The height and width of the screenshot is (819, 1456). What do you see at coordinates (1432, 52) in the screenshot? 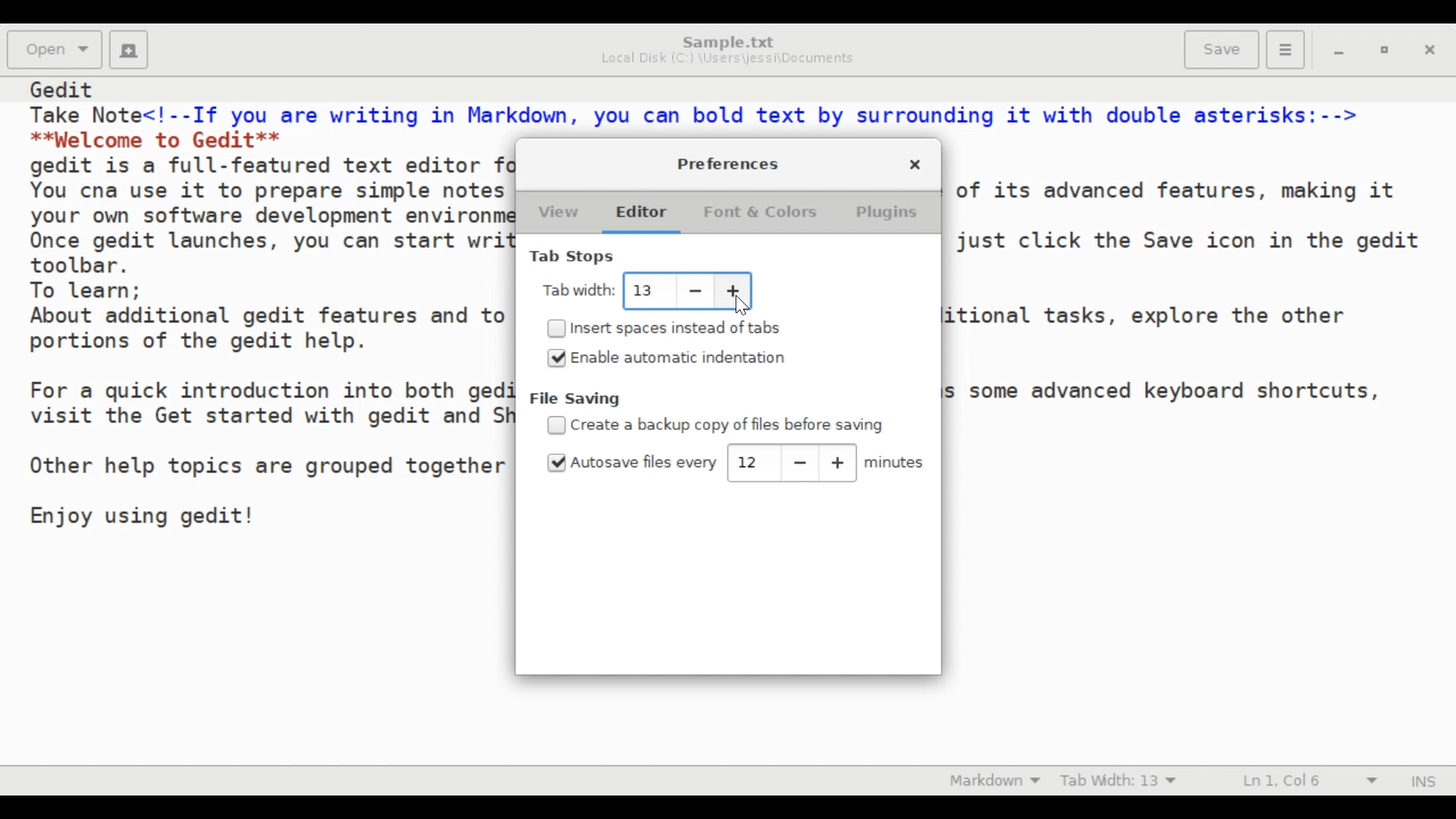
I see `Close` at bounding box center [1432, 52].